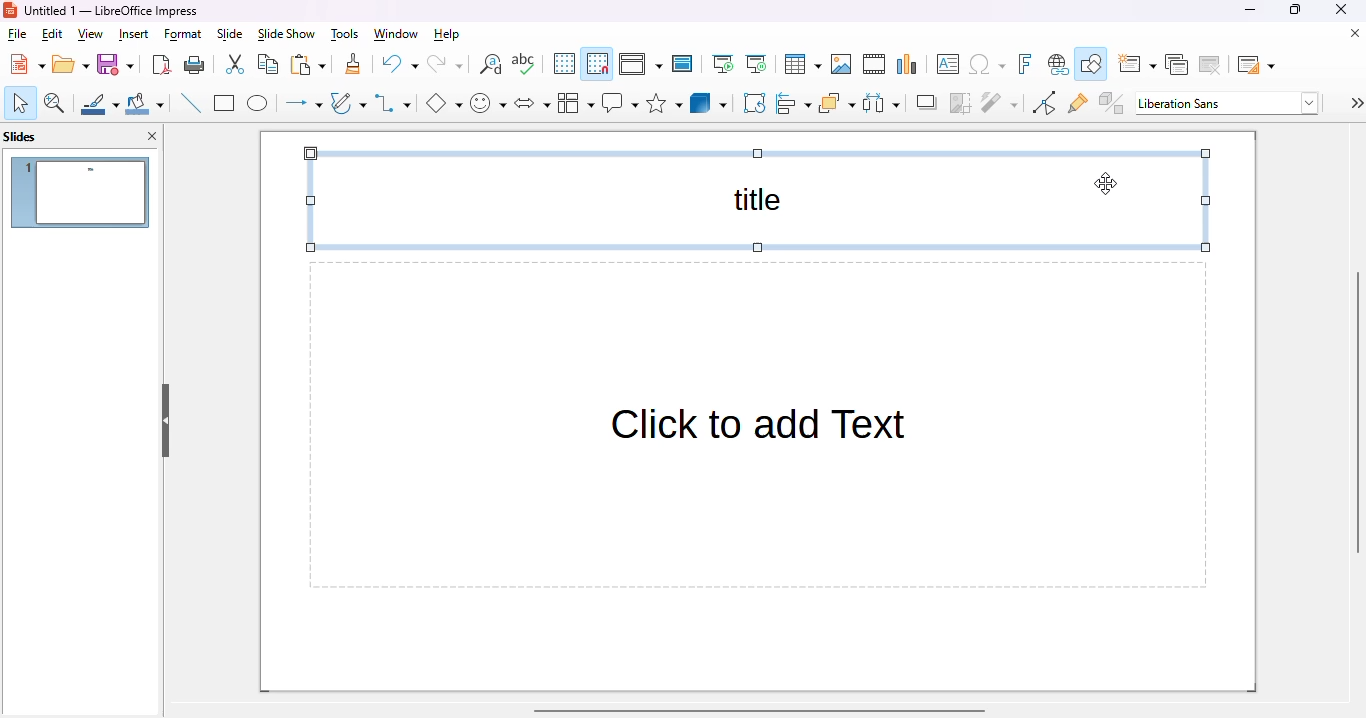  What do you see at coordinates (134, 35) in the screenshot?
I see `insert` at bounding box center [134, 35].